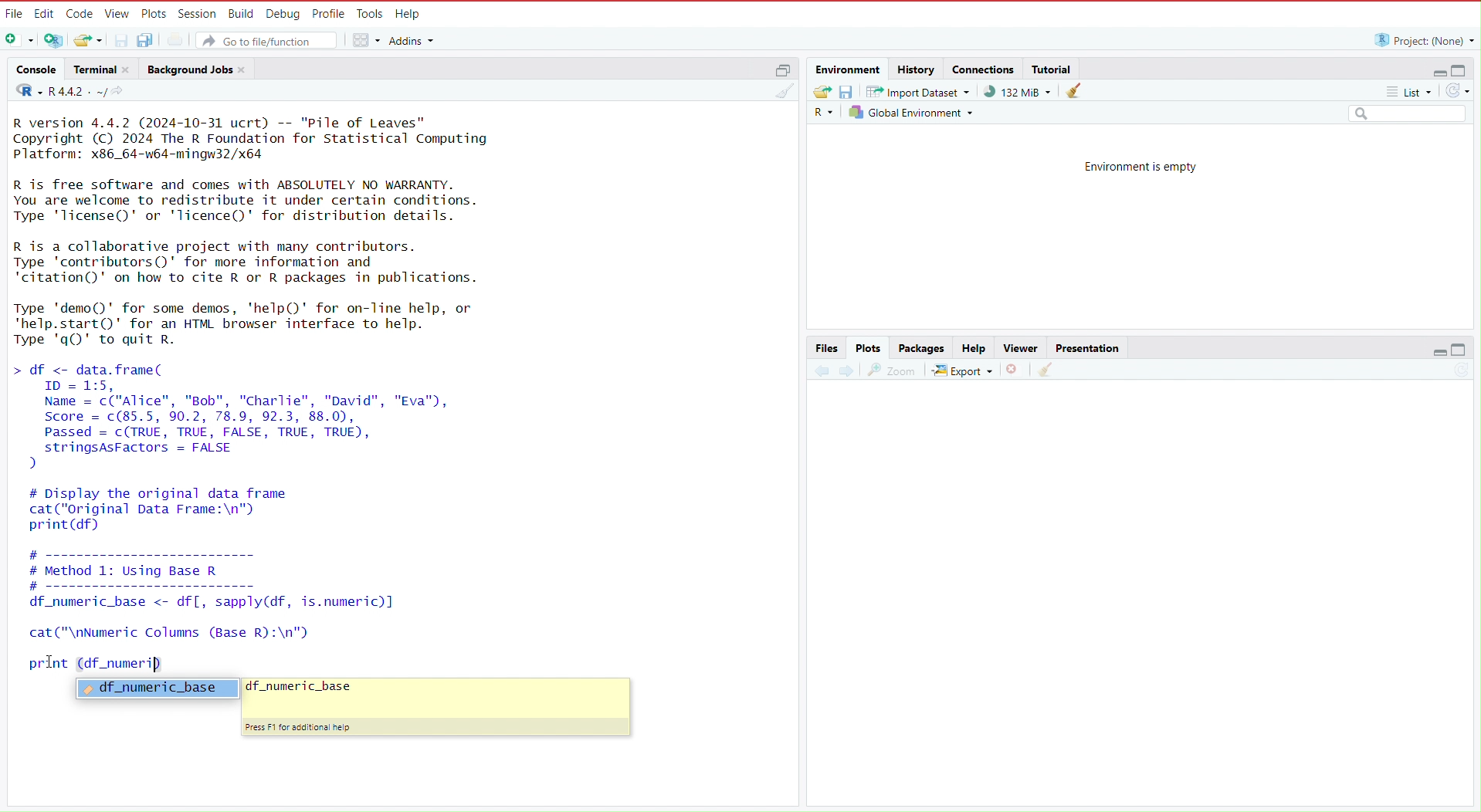 The width and height of the screenshot is (1481, 812). What do you see at coordinates (413, 39) in the screenshot?
I see `addins` at bounding box center [413, 39].